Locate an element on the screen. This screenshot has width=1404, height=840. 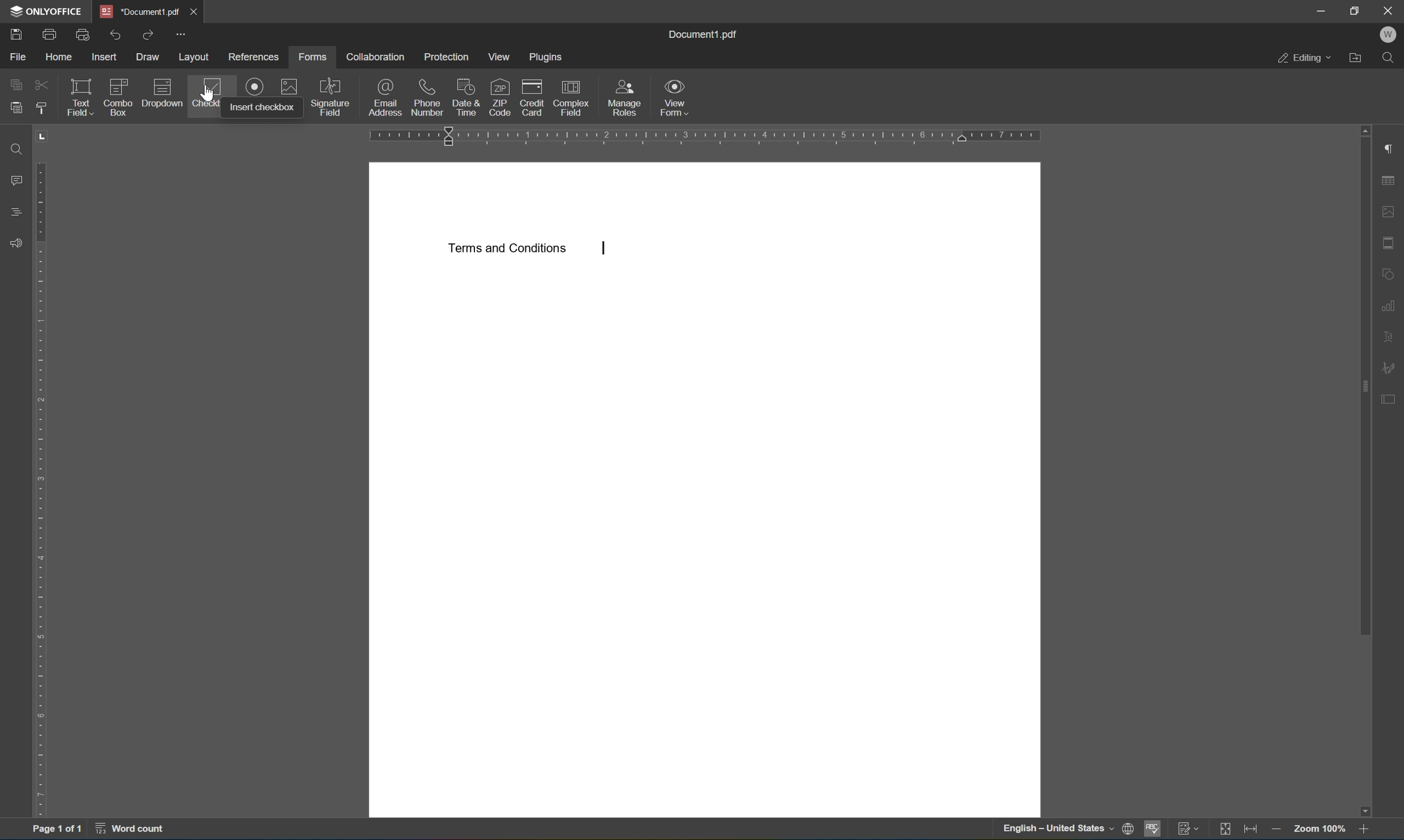
word count is located at coordinates (129, 831).